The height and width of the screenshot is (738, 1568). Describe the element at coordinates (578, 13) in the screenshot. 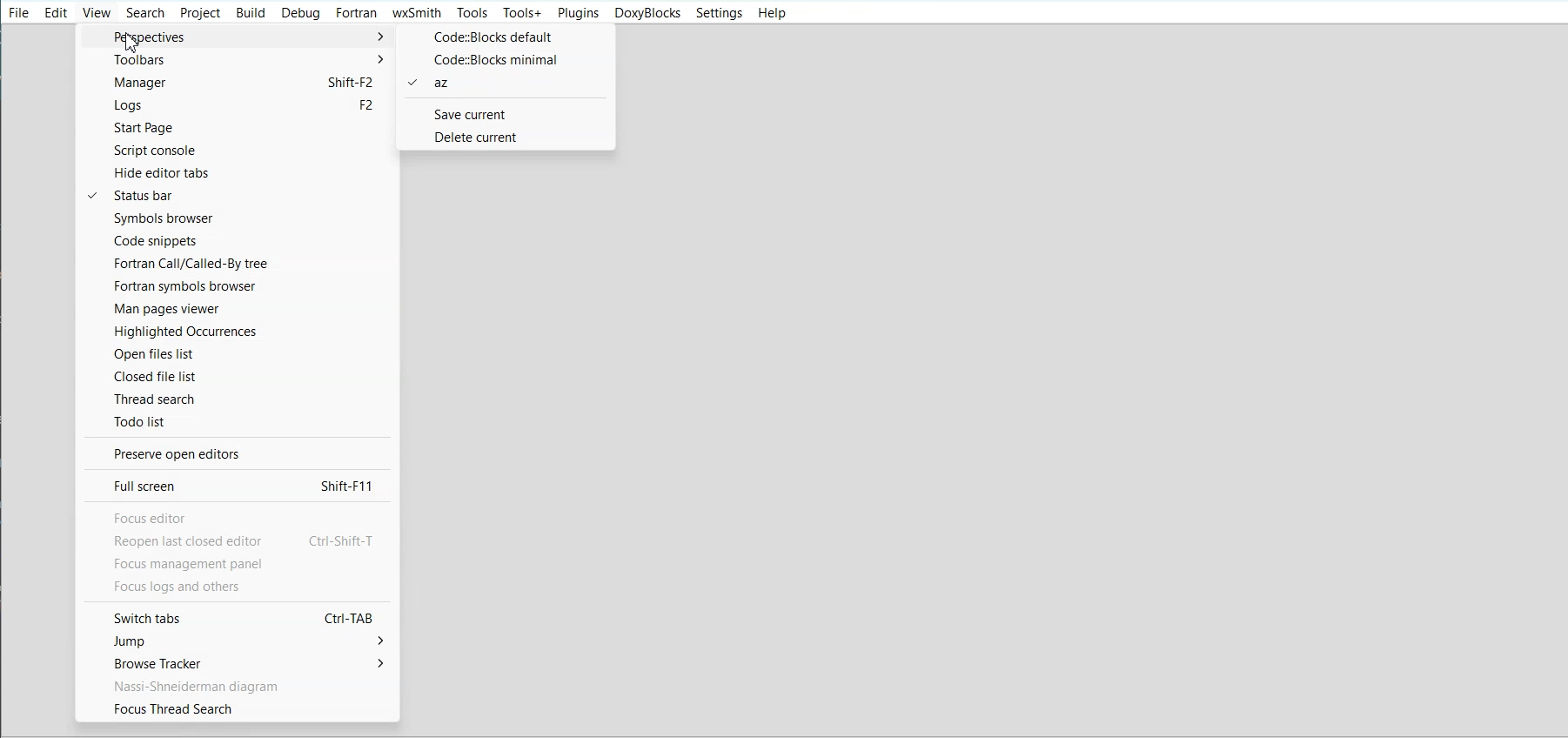

I see `Plugins` at that location.